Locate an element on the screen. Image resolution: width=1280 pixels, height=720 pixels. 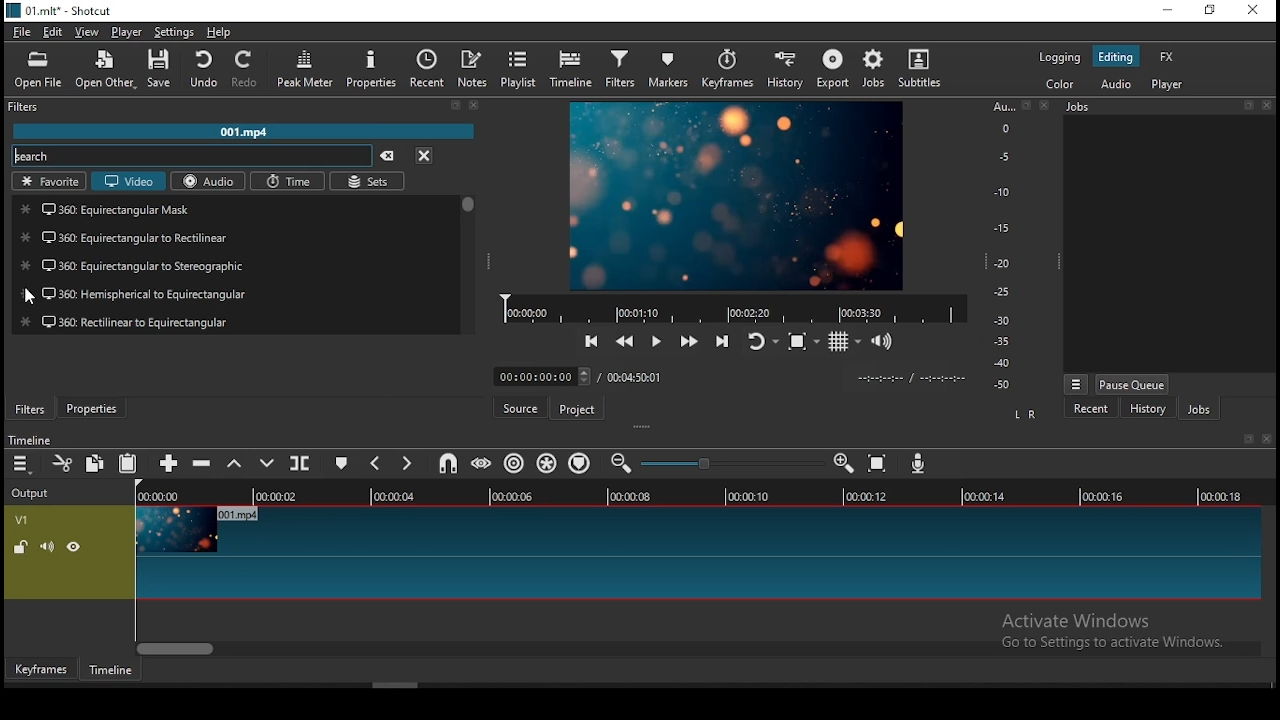
Playlist is located at coordinates (515, 70).